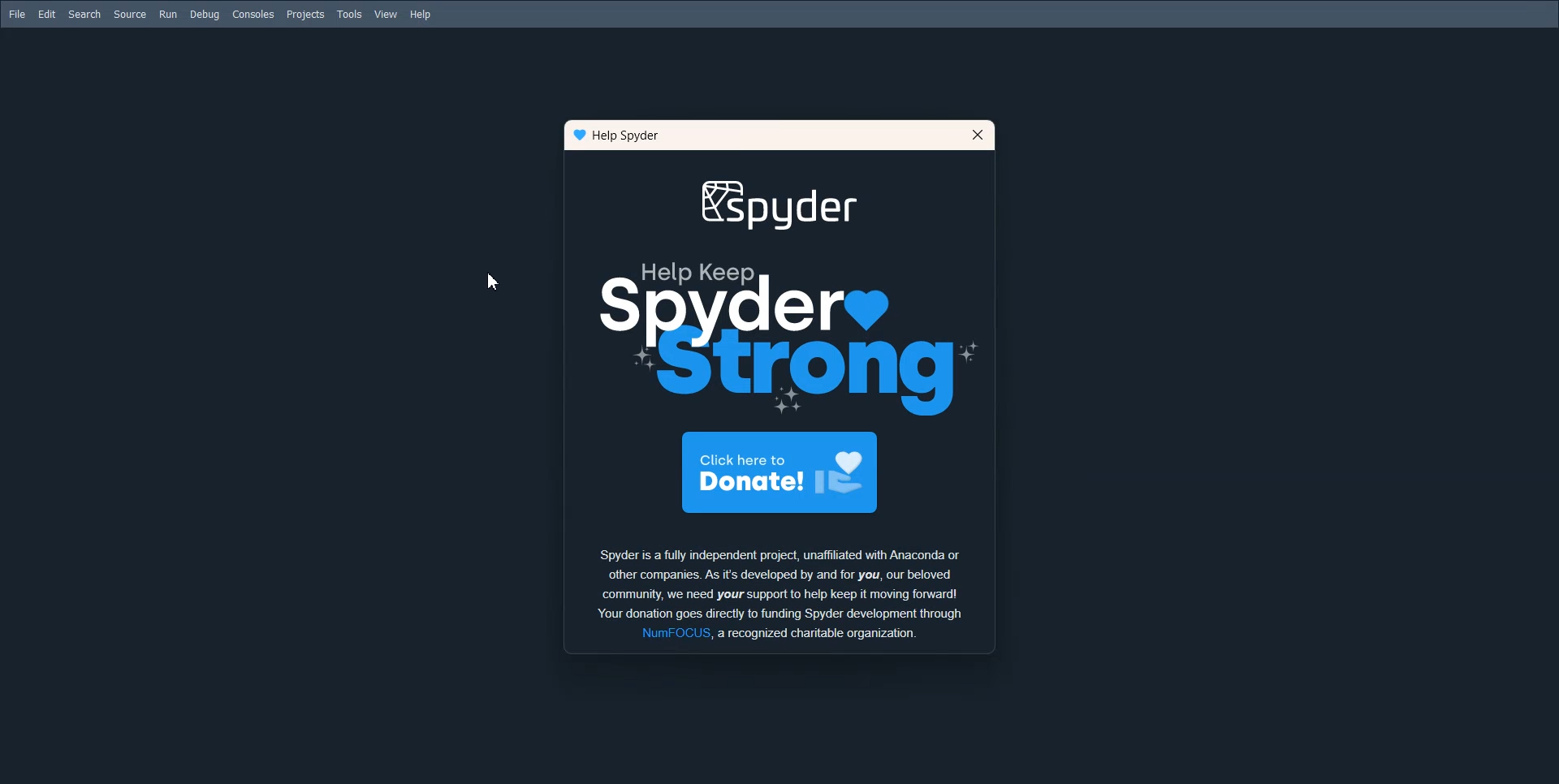 The image size is (1559, 784). I want to click on Edit, so click(47, 13).